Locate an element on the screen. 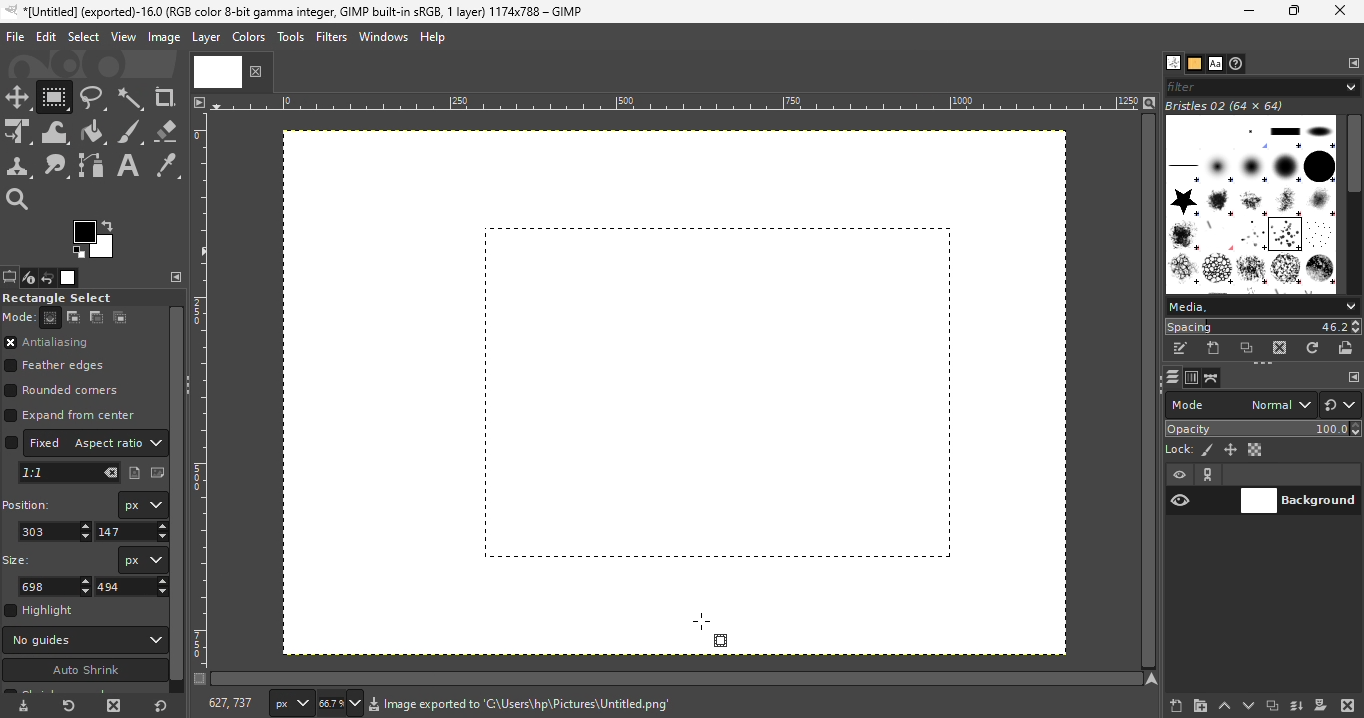  Minimize is located at coordinates (1244, 11).